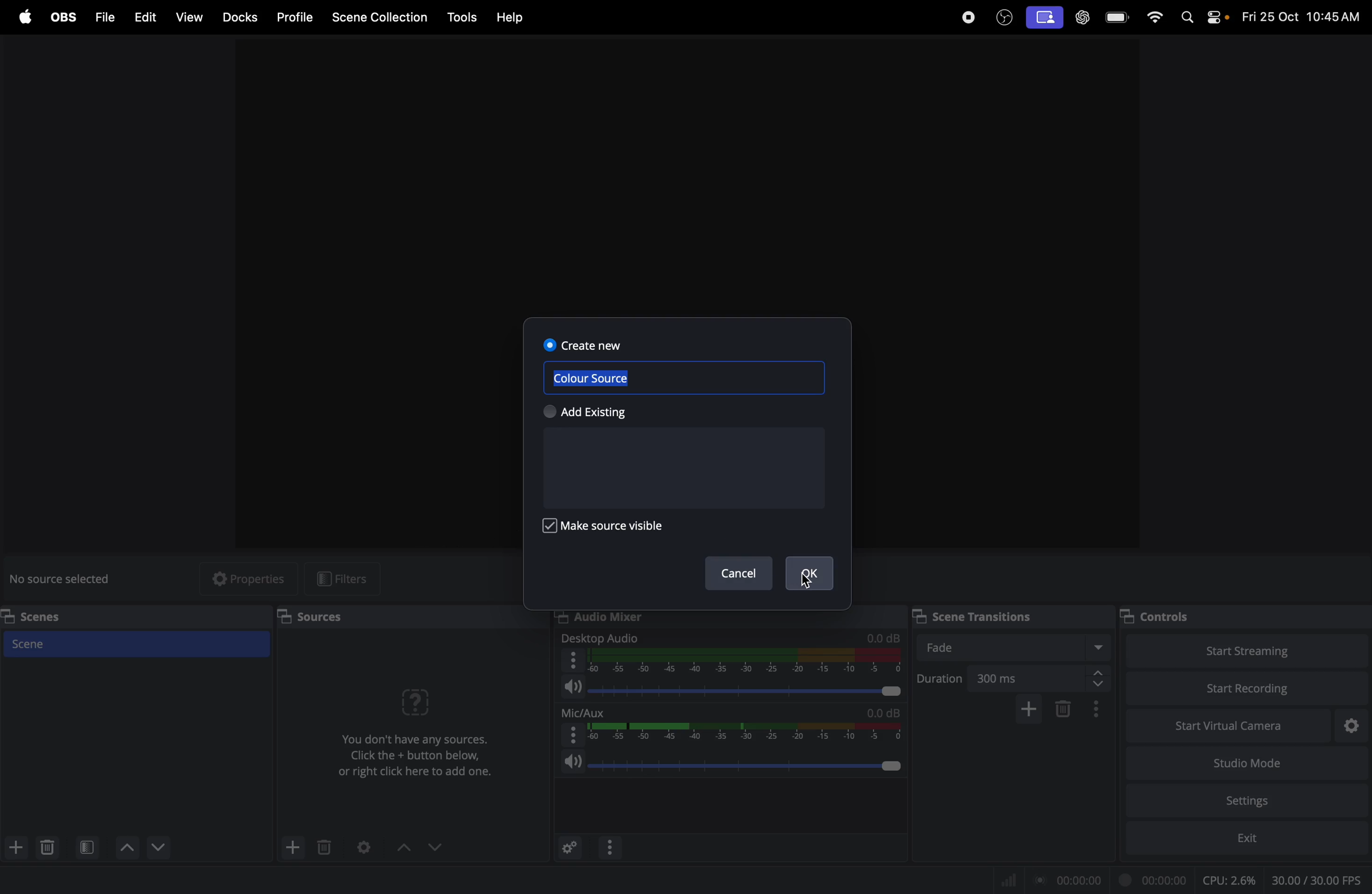 This screenshot has width=1372, height=894. Describe the element at coordinates (608, 527) in the screenshot. I see `make source visible` at that location.